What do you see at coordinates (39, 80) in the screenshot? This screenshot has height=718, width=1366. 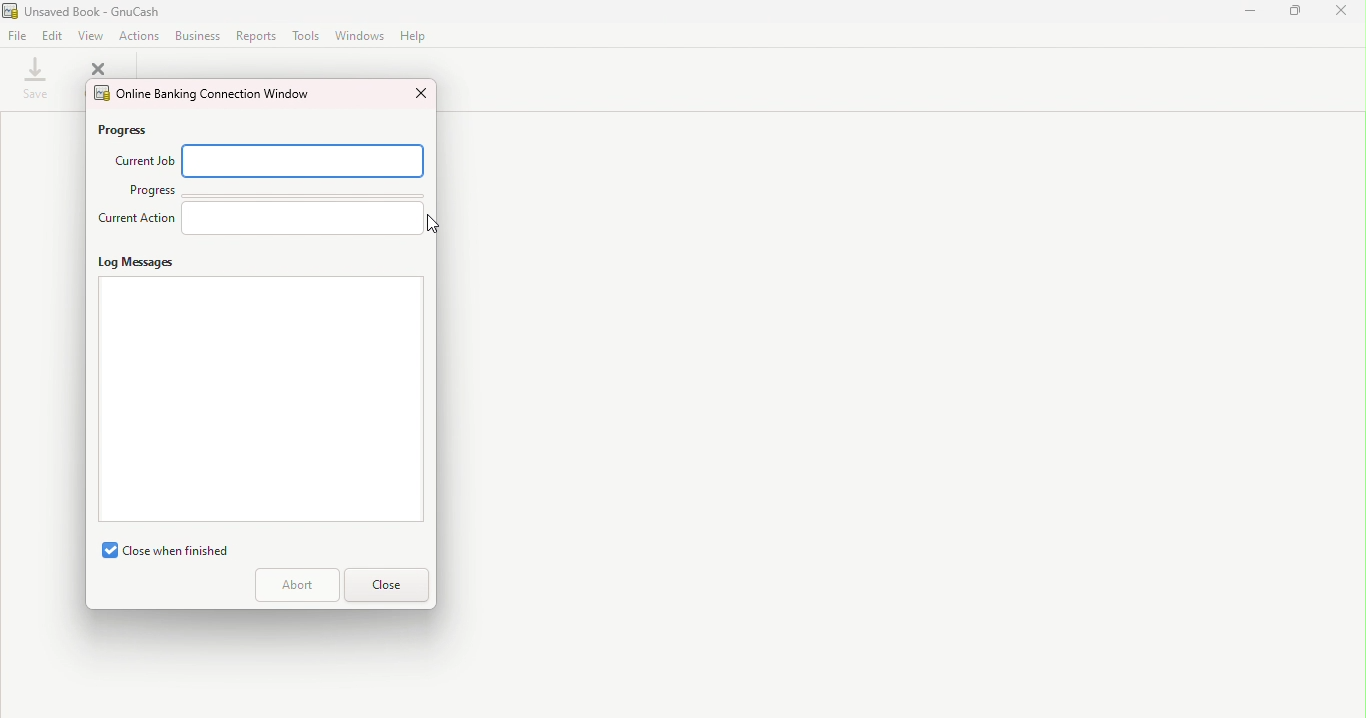 I see `save` at bounding box center [39, 80].